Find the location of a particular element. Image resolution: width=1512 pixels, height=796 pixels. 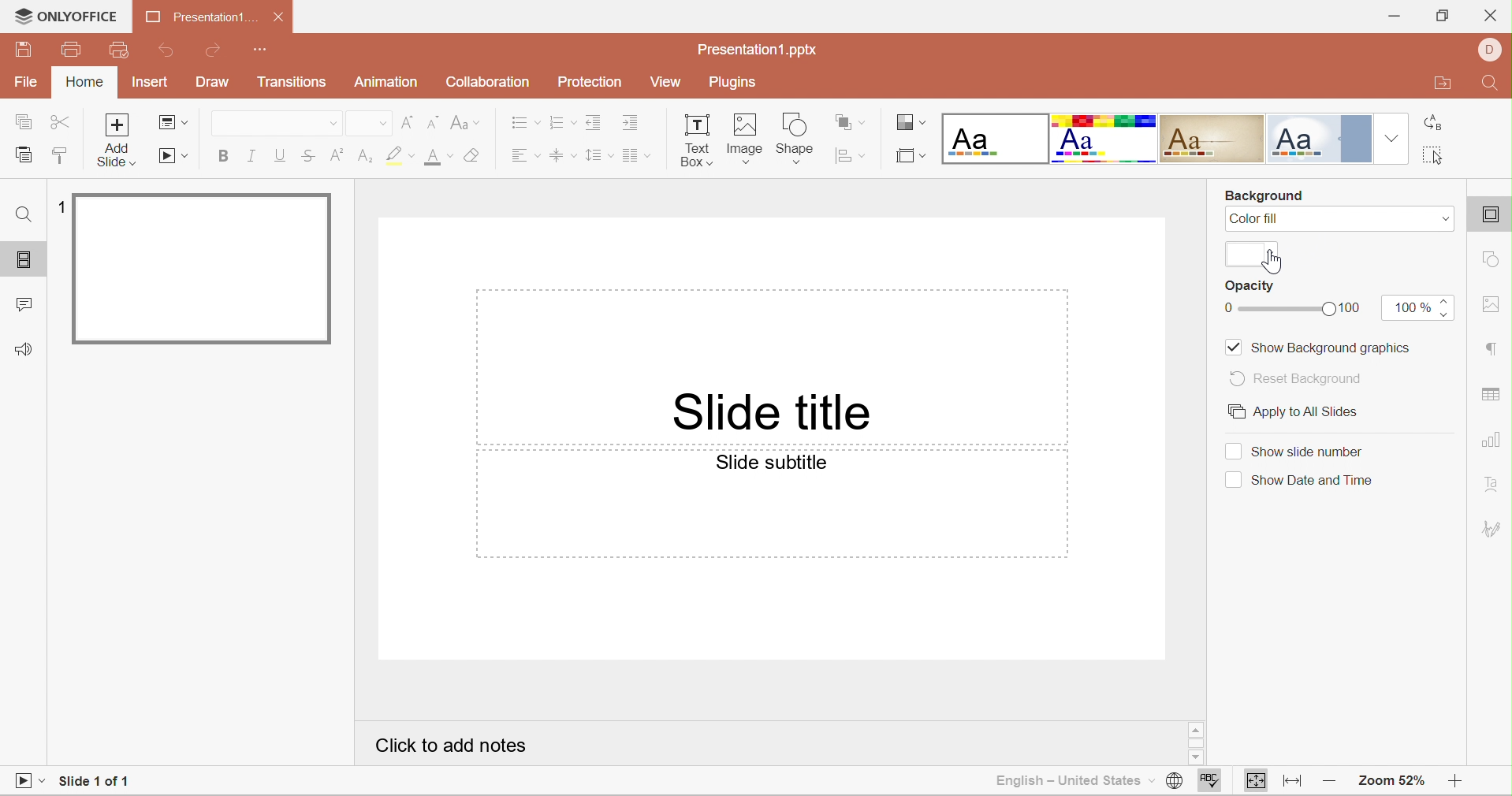

Numbering is located at coordinates (563, 124).